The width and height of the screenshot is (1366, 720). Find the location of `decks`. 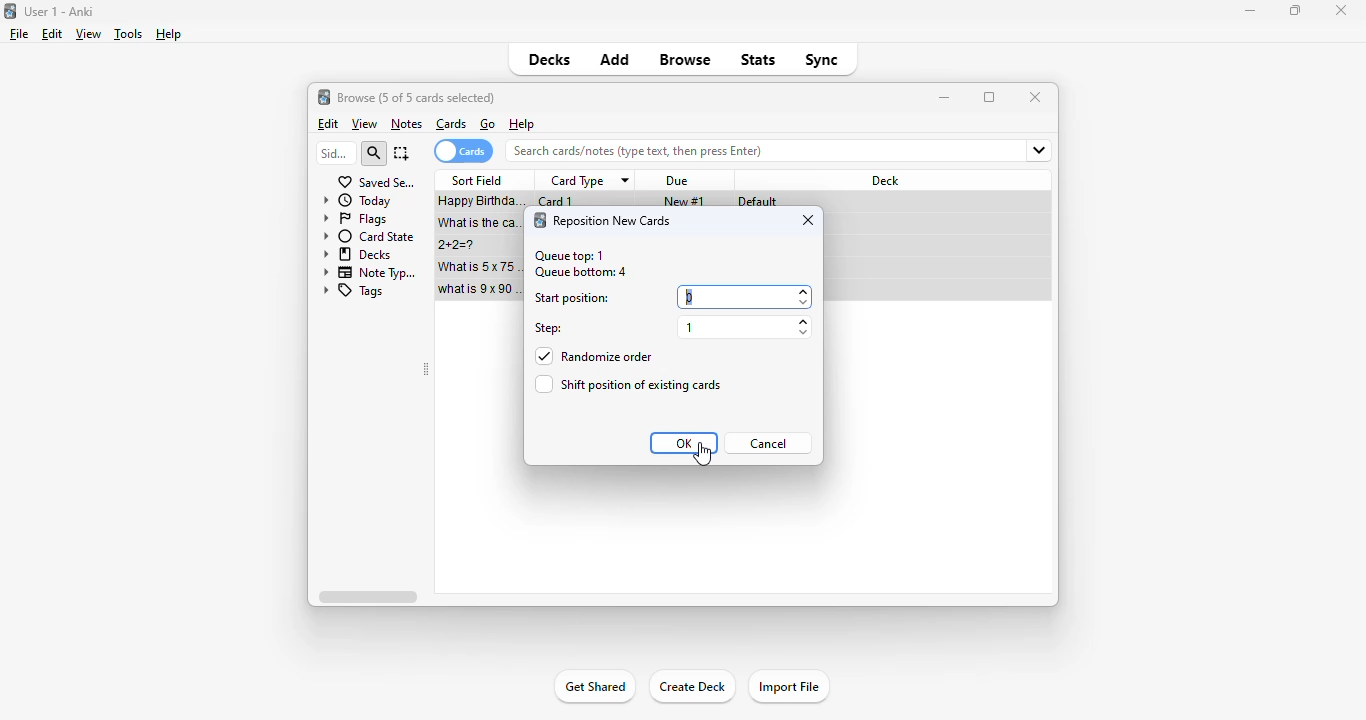

decks is located at coordinates (549, 59).